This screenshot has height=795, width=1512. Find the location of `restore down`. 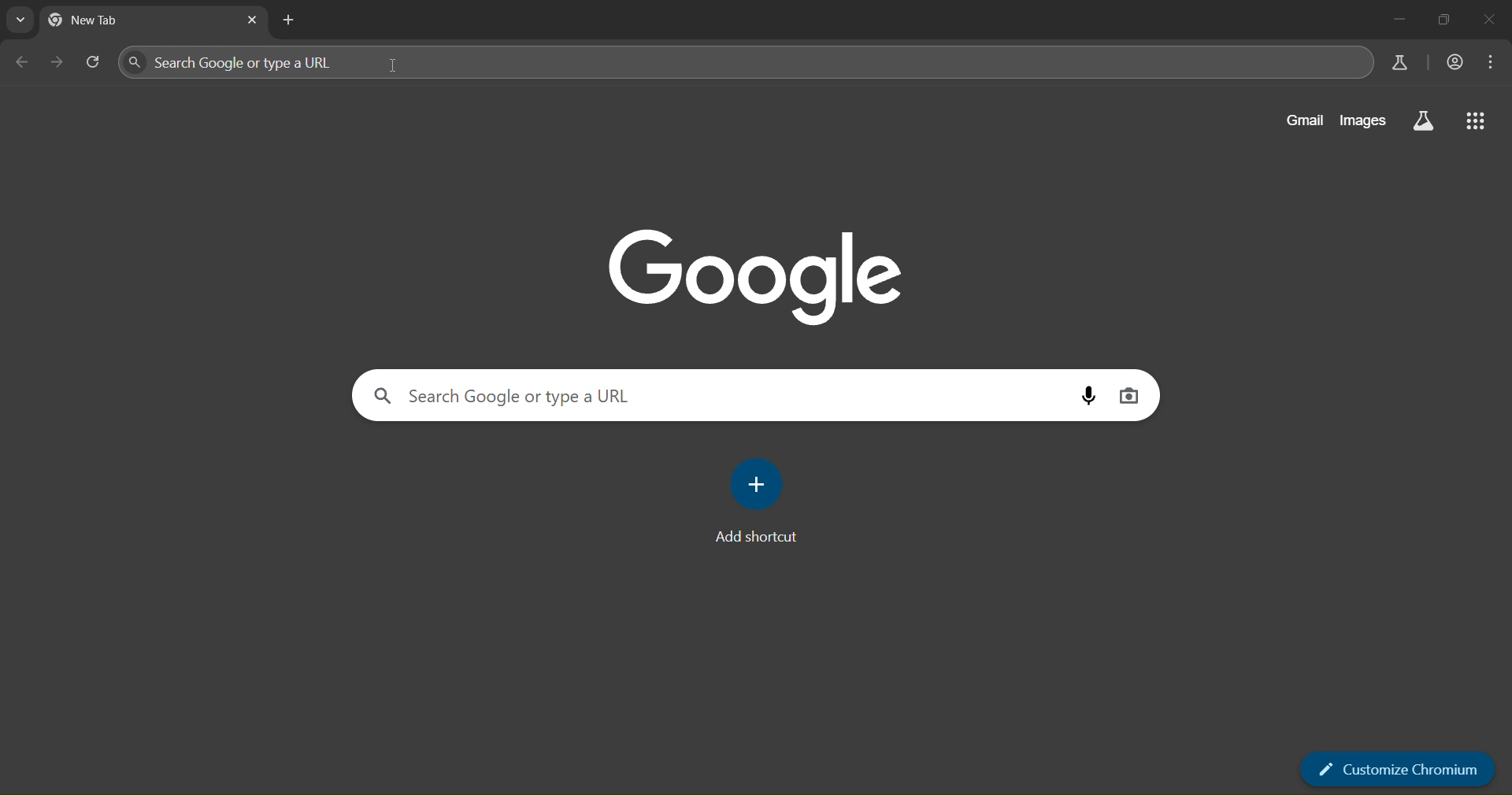

restore down is located at coordinates (1443, 20).